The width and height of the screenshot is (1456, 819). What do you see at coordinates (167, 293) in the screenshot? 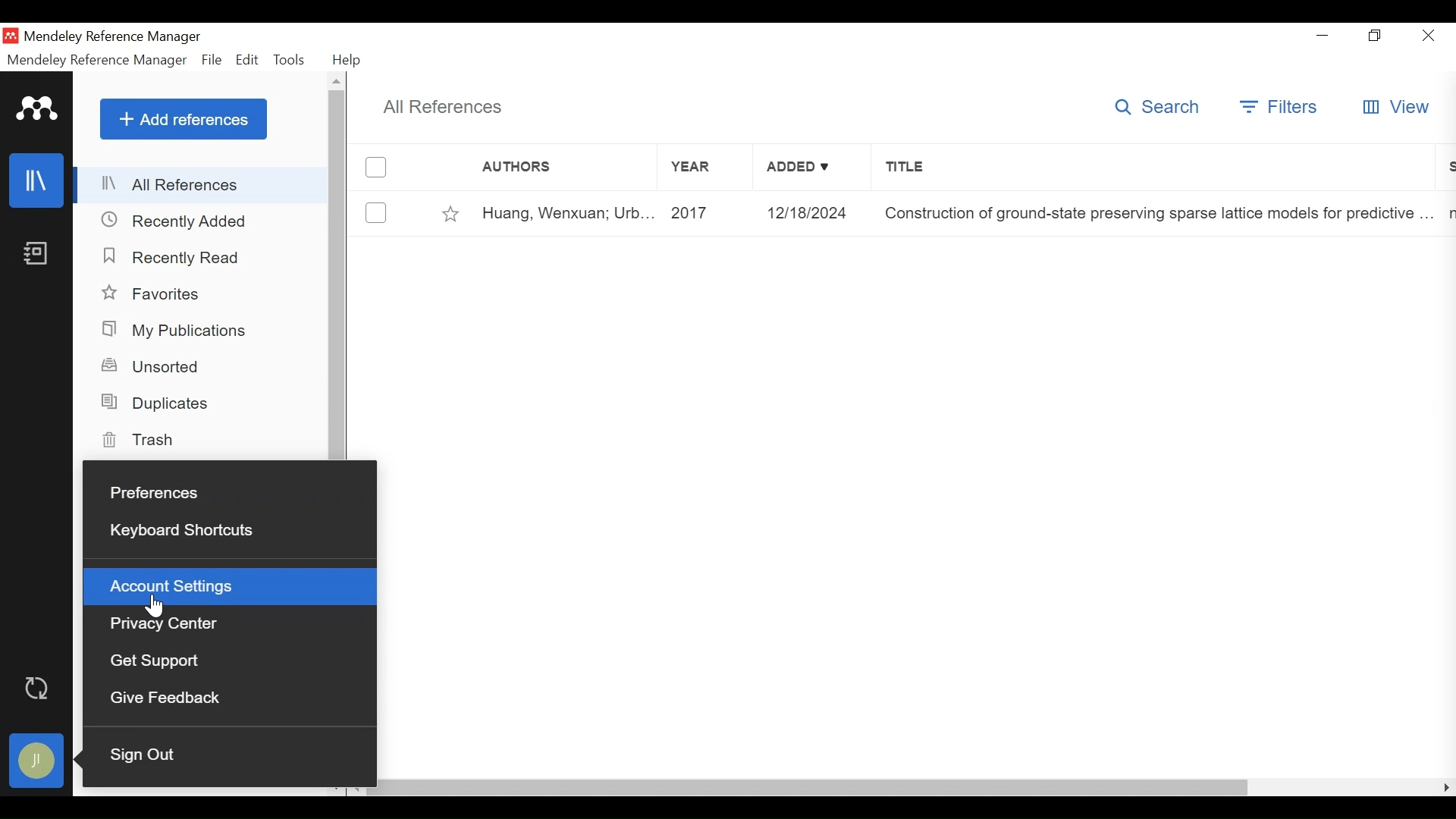
I see `Favorites` at bounding box center [167, 293].